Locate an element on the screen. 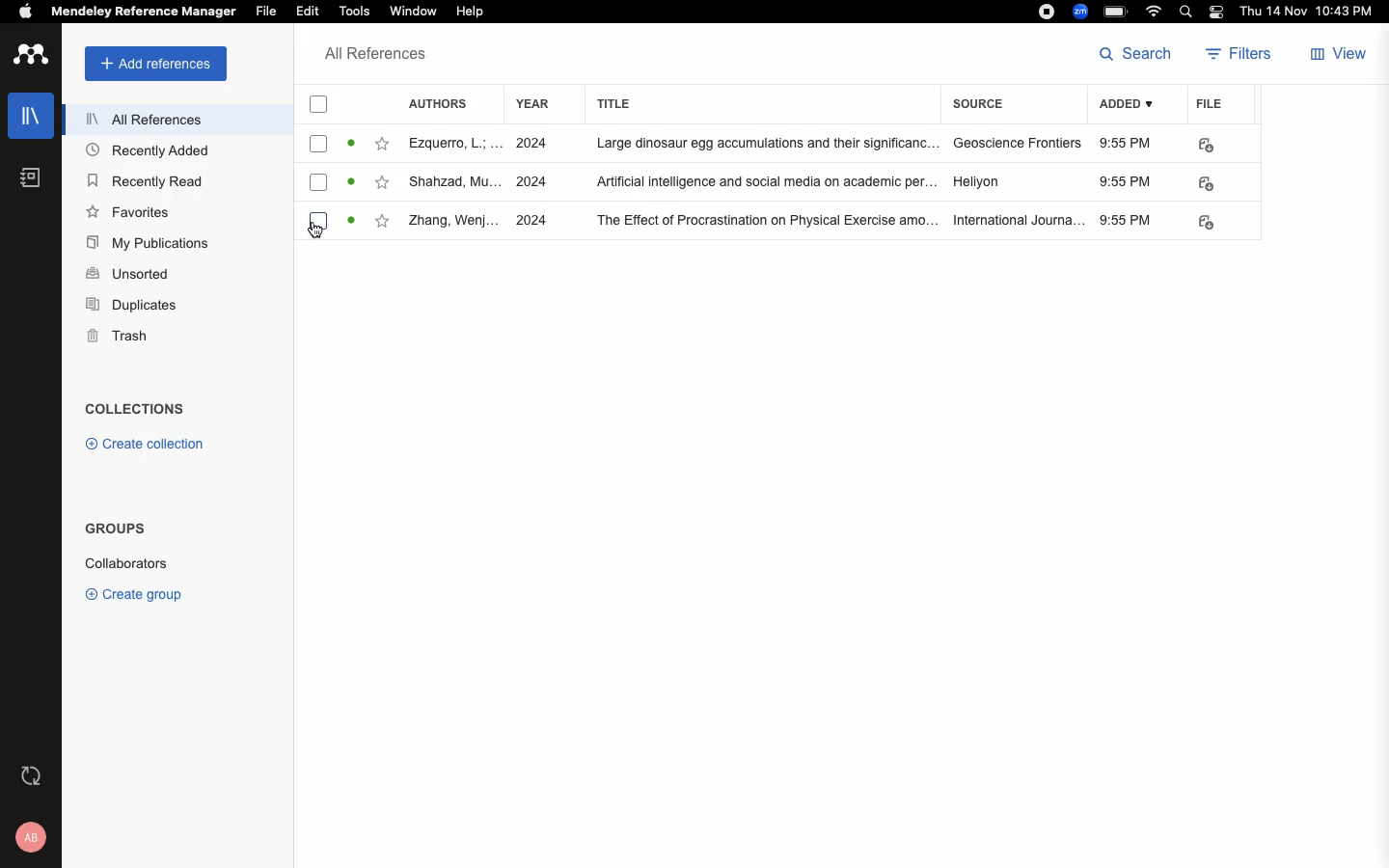  Shahzad is located at coordinates (454, 183).